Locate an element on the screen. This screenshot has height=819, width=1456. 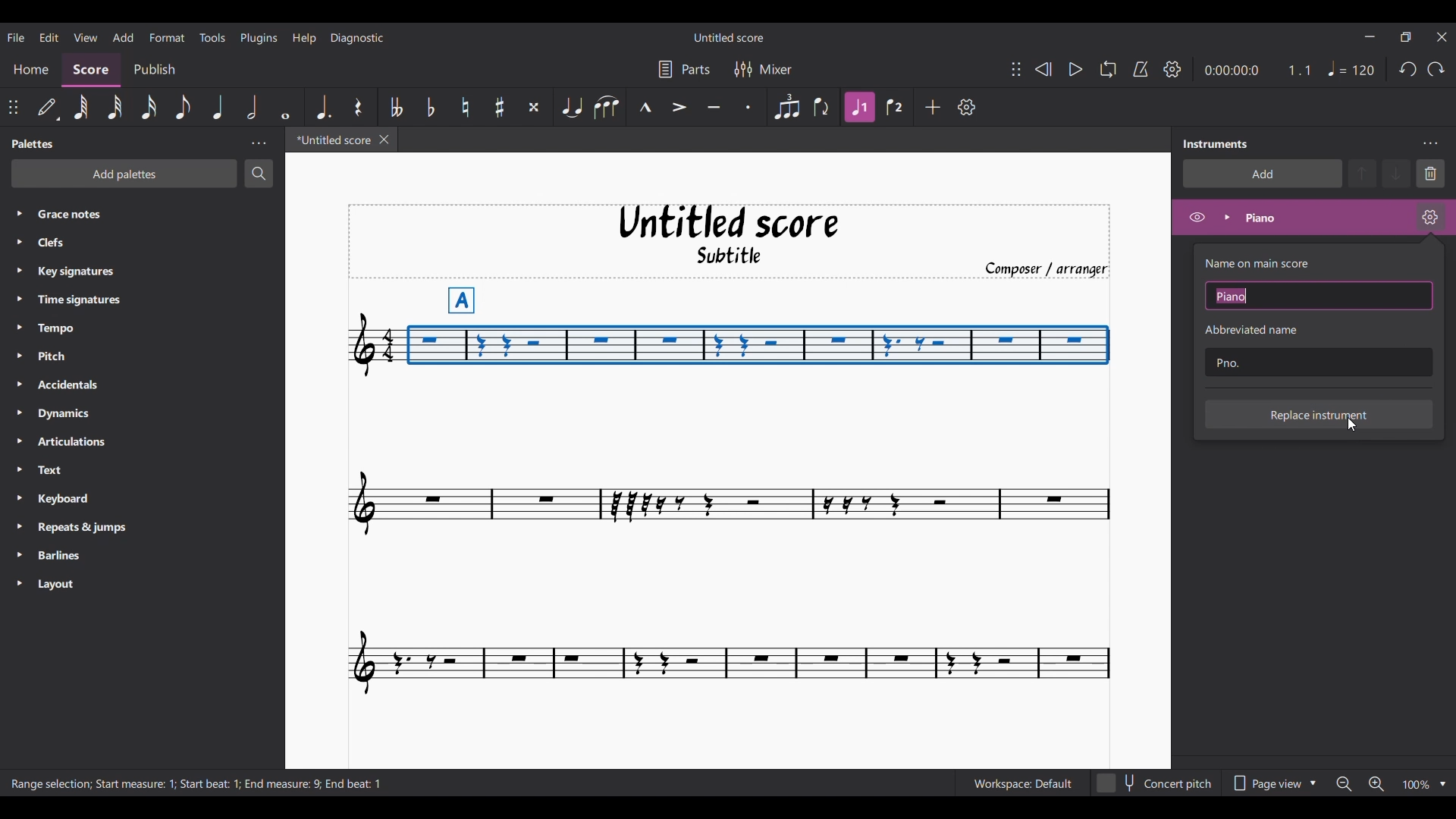
Toggle double flat is located at coordinates (397, 107).